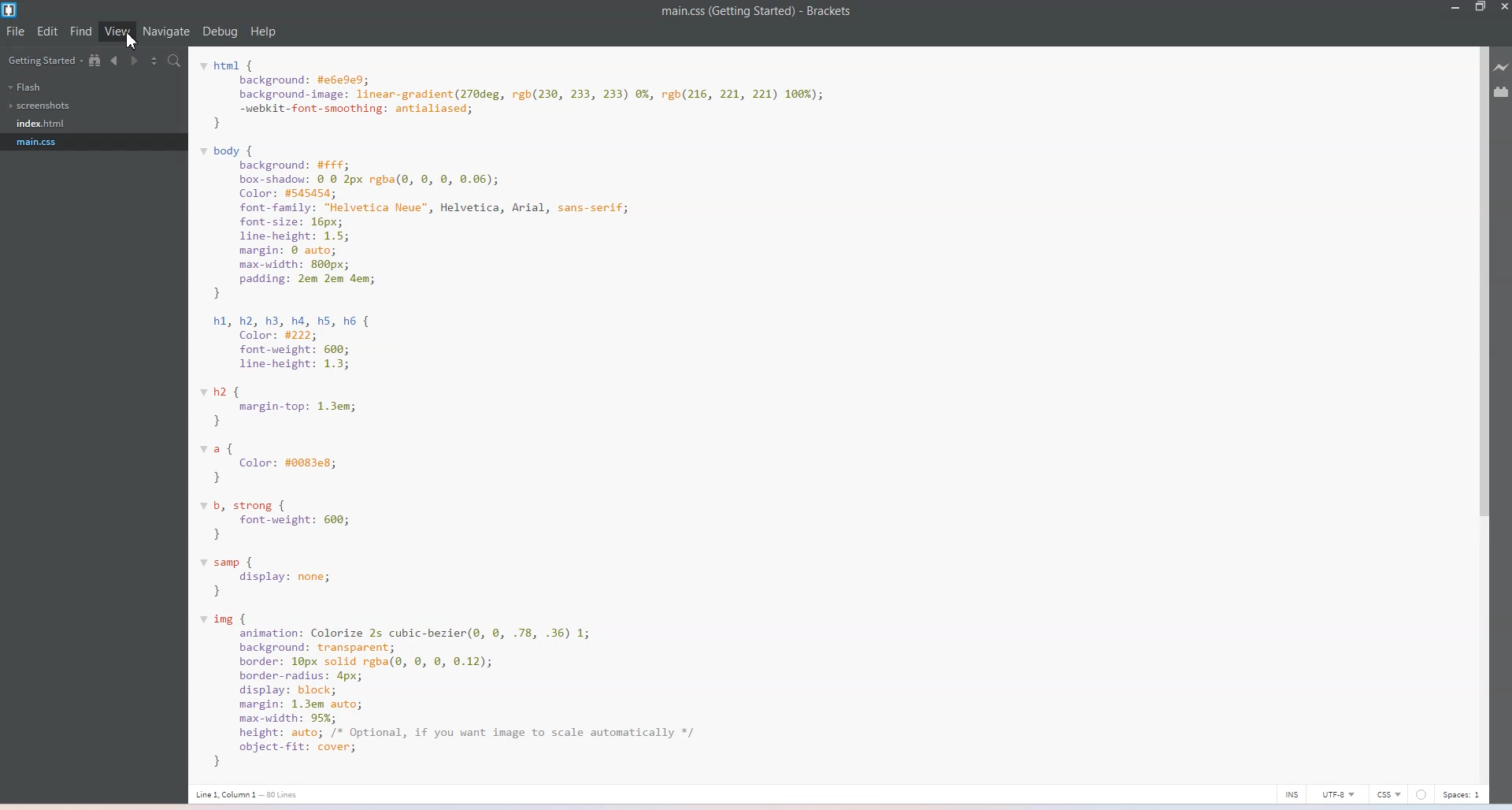 This screenshot has width=1512, height=810. I want to click on File, so click(16, 32).